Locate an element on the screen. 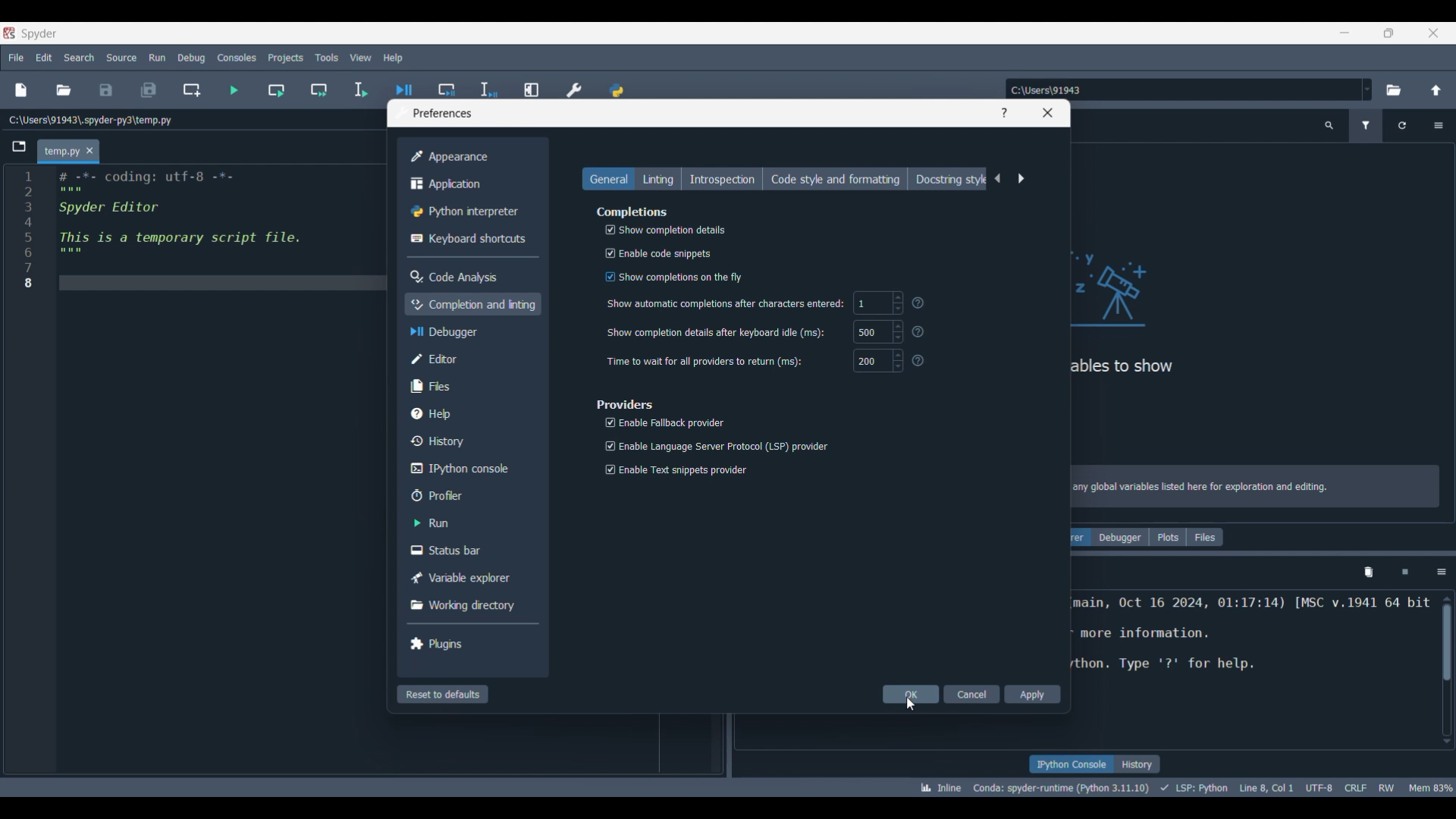  ? is located at coordinates (921, 362).